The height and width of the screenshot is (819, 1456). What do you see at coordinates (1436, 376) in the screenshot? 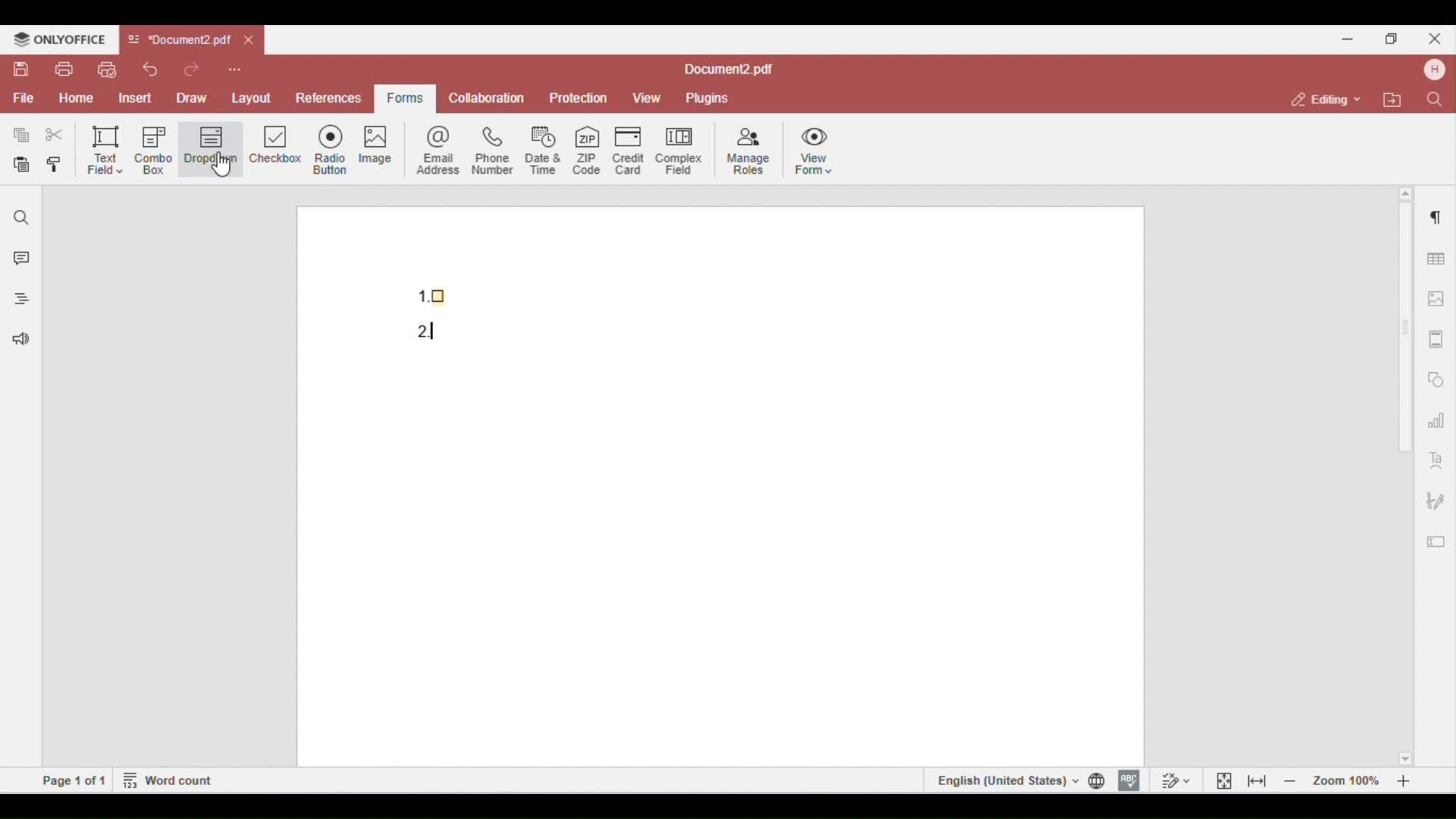
I see `shape settings` at bounding box center [1436, 376].